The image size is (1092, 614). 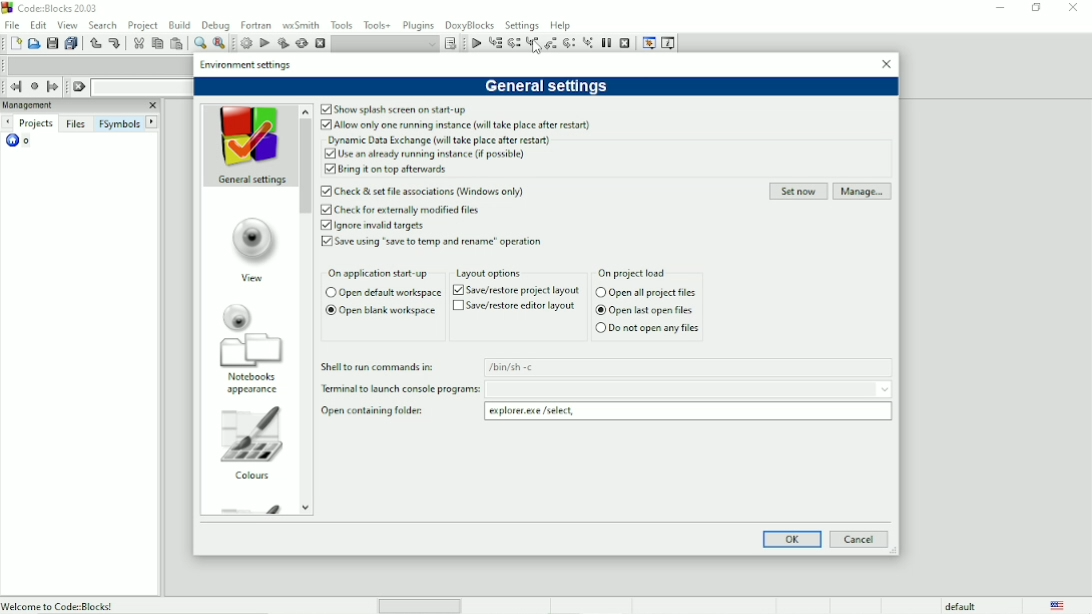 What do you see at coordinates (248, 146) in the screenshot?
I see `General settings` at bounding box center [248, 146].